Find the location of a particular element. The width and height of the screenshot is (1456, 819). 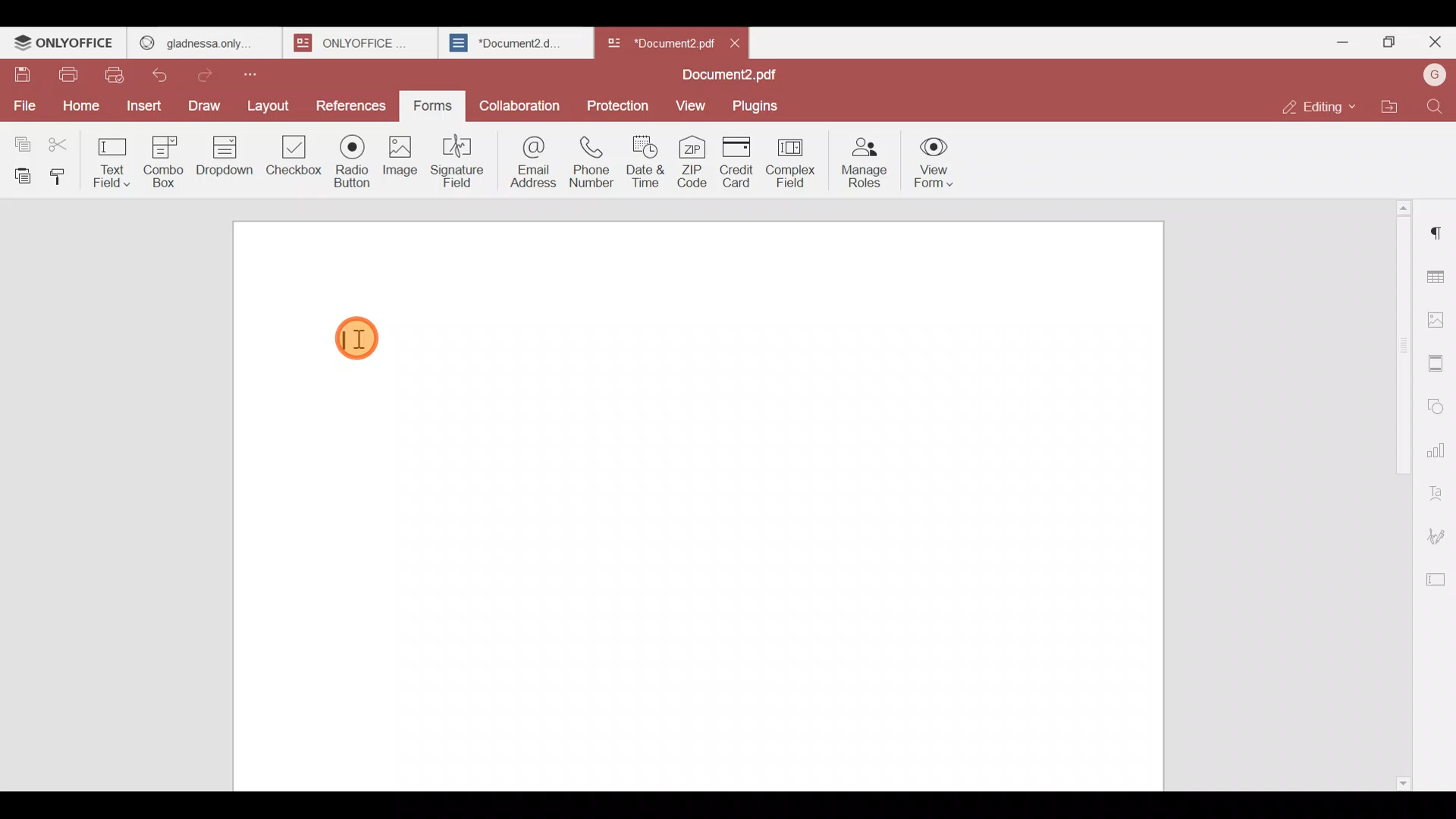

Image is located at coordinates (399, 158).